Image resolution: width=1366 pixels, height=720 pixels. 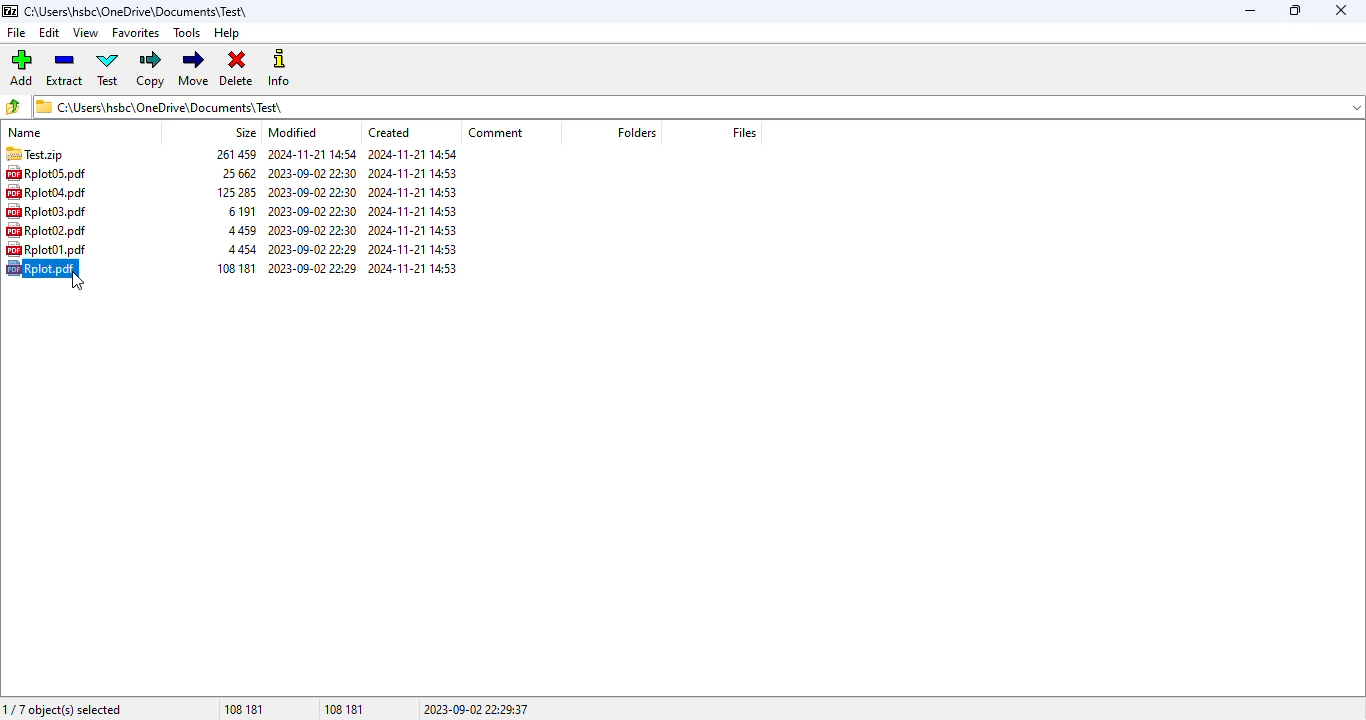 I want to click on 108 181, so click(x=246, y=707).